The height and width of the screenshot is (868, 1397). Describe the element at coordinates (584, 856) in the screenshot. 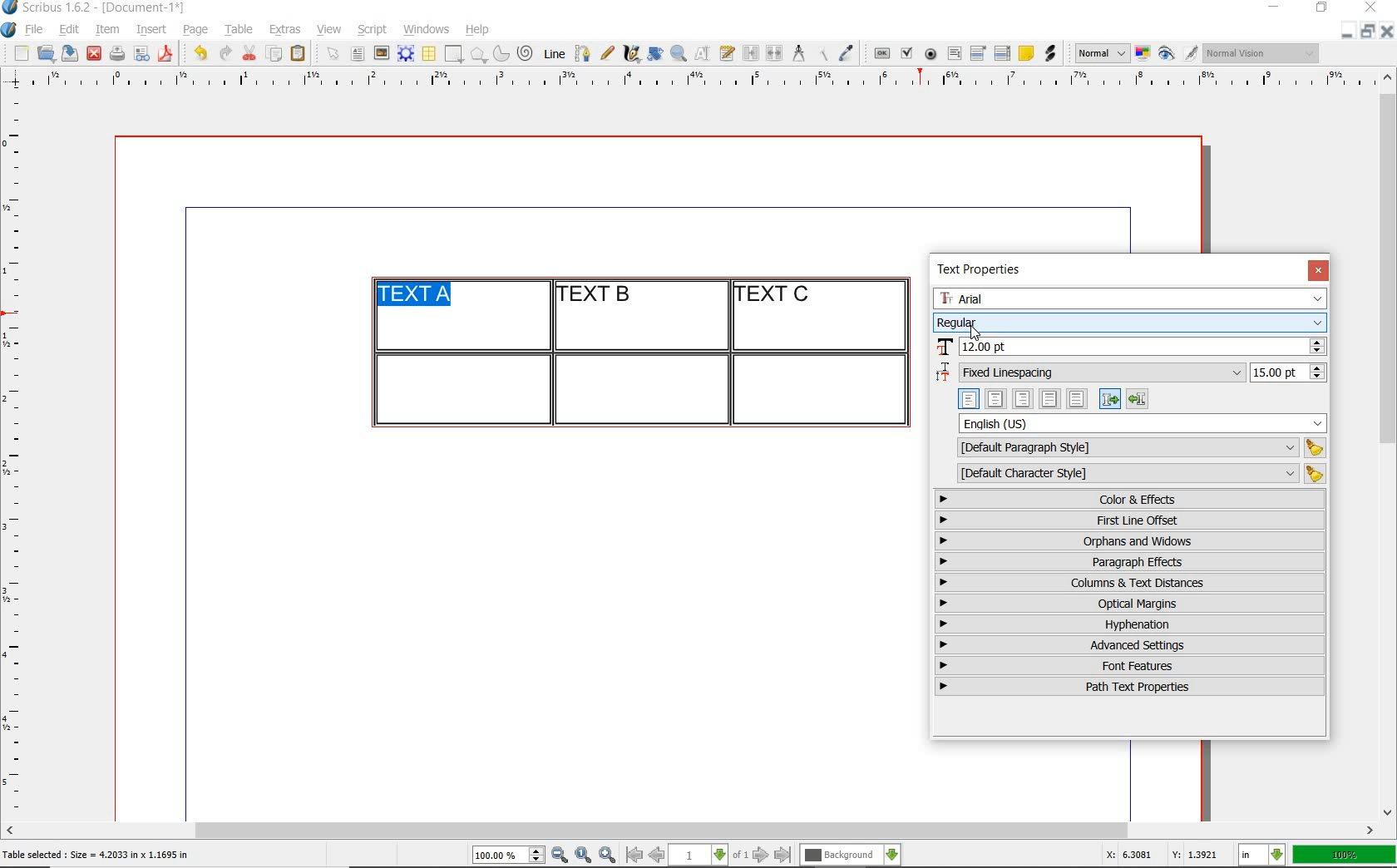

I see `zoom to` at that location.